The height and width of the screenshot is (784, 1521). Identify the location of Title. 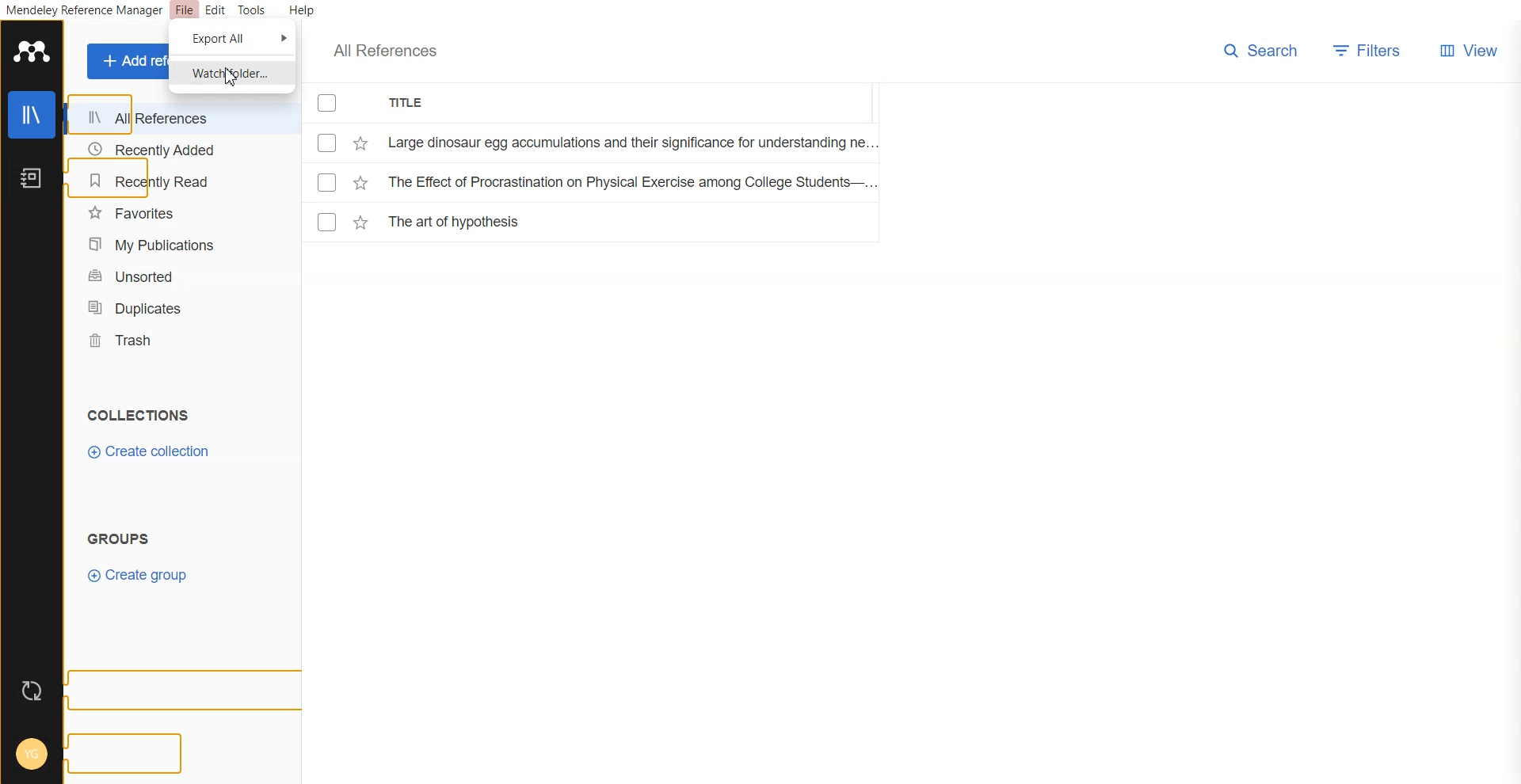
(411, 103).